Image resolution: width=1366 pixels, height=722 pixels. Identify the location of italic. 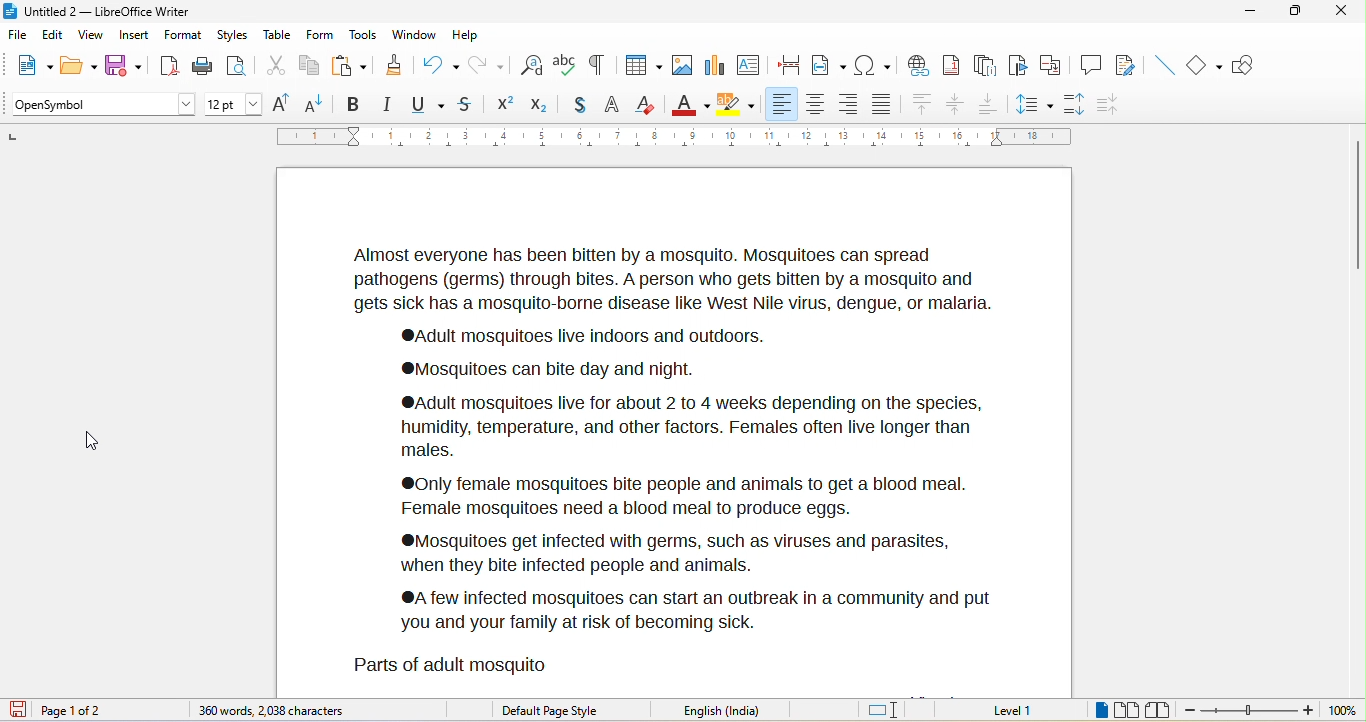
(385, 103).